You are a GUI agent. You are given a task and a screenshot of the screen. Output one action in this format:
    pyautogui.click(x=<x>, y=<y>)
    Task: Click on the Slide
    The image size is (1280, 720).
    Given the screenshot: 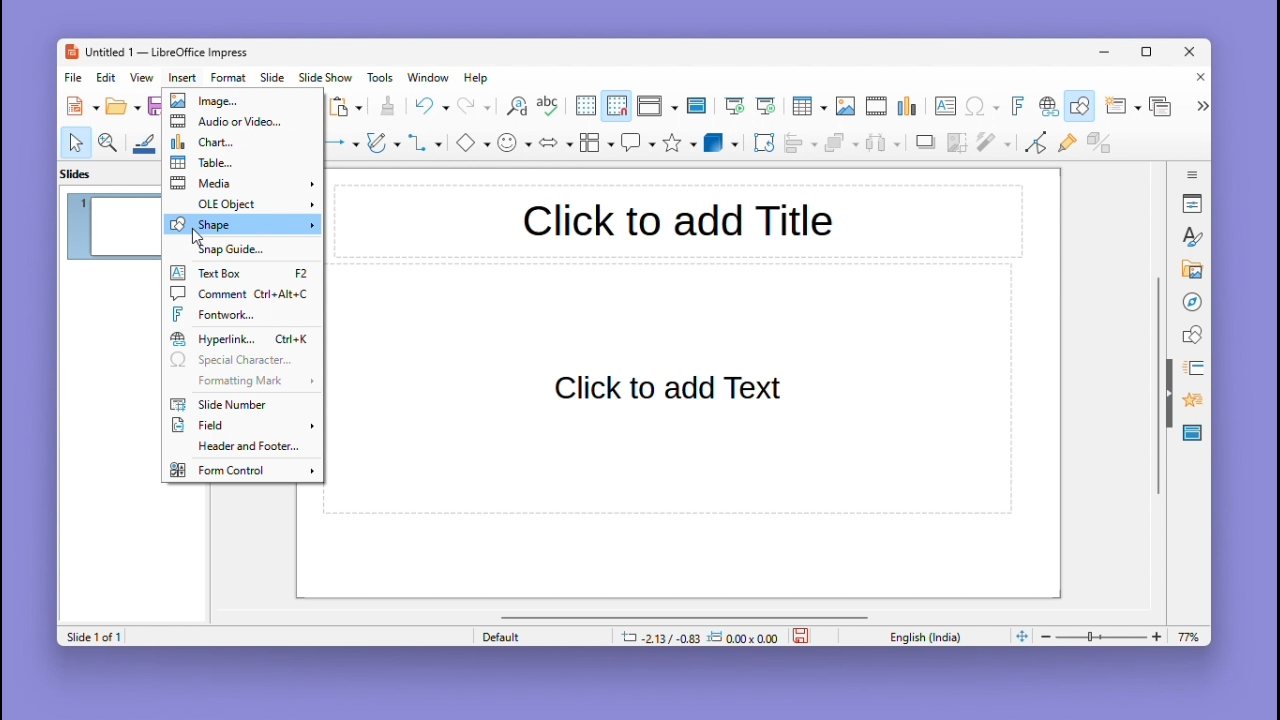 What is the action you would take?
    pyautogui.click(x=273, y=77)
    